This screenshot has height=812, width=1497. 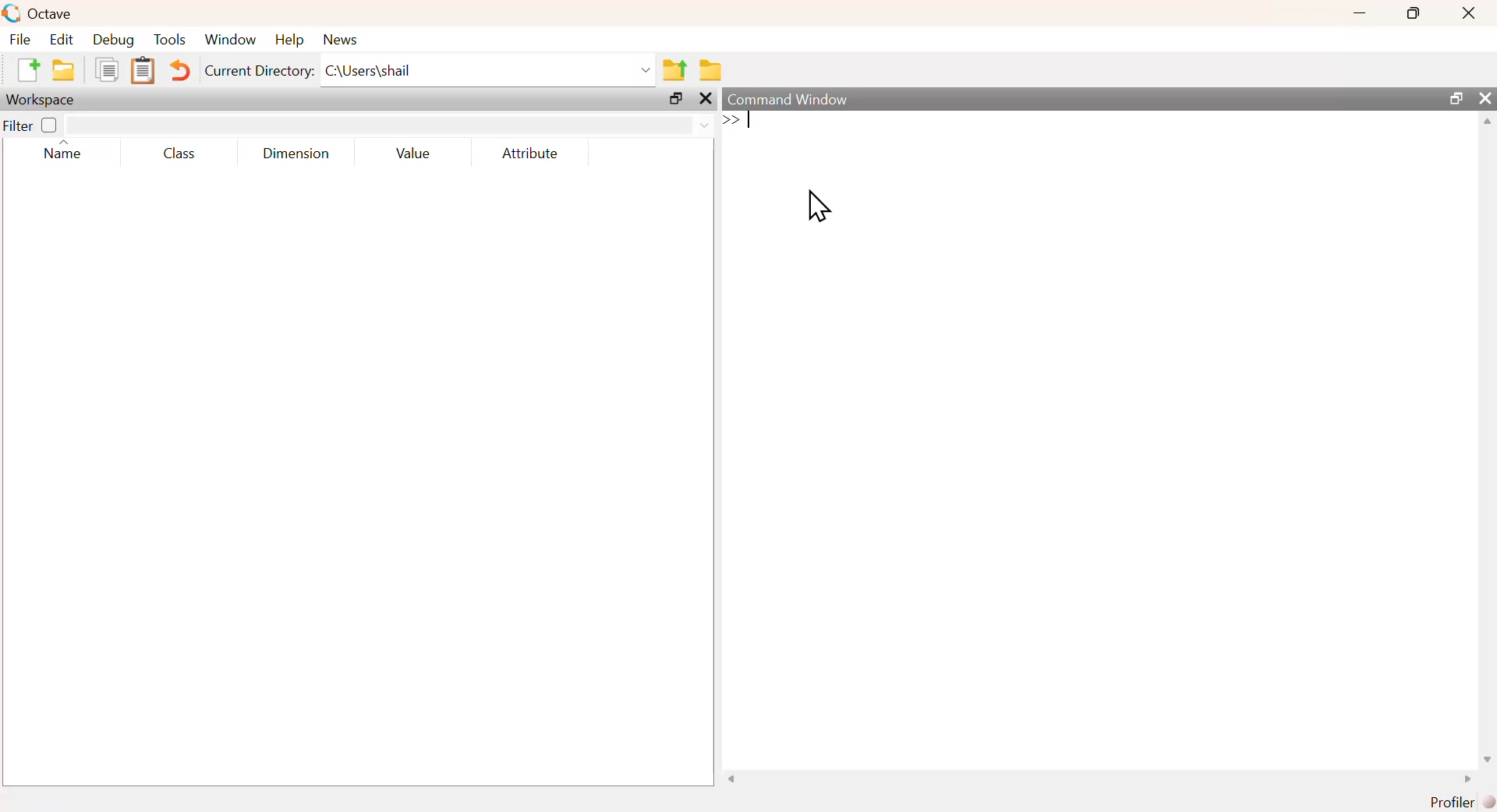 What do you see at coordinates (733, 778) in the screenshot?
I see `scroll left` at bounding box center [733, 778].